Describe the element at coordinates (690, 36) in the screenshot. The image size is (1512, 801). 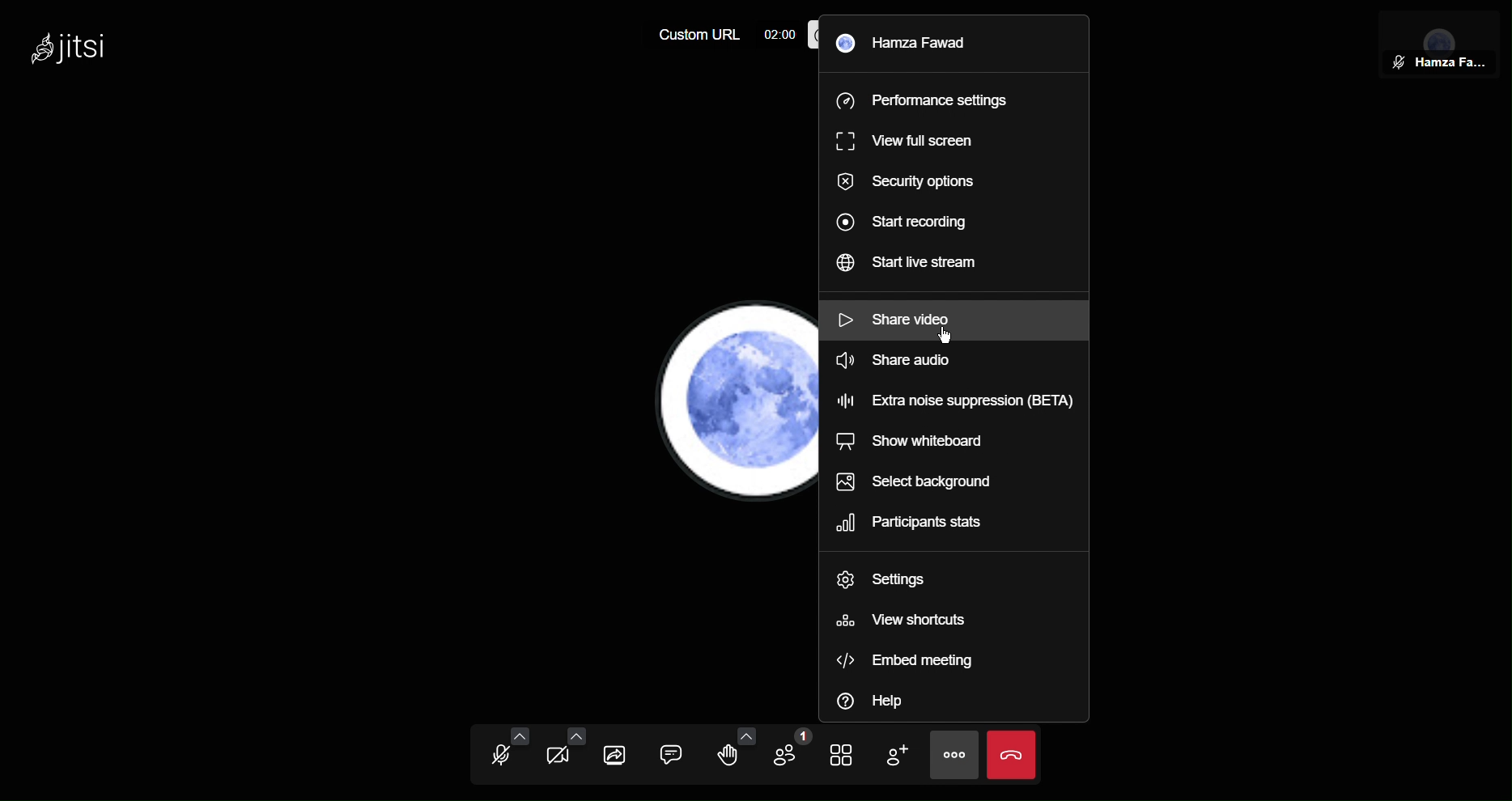
I see `Custom URL` at that location.